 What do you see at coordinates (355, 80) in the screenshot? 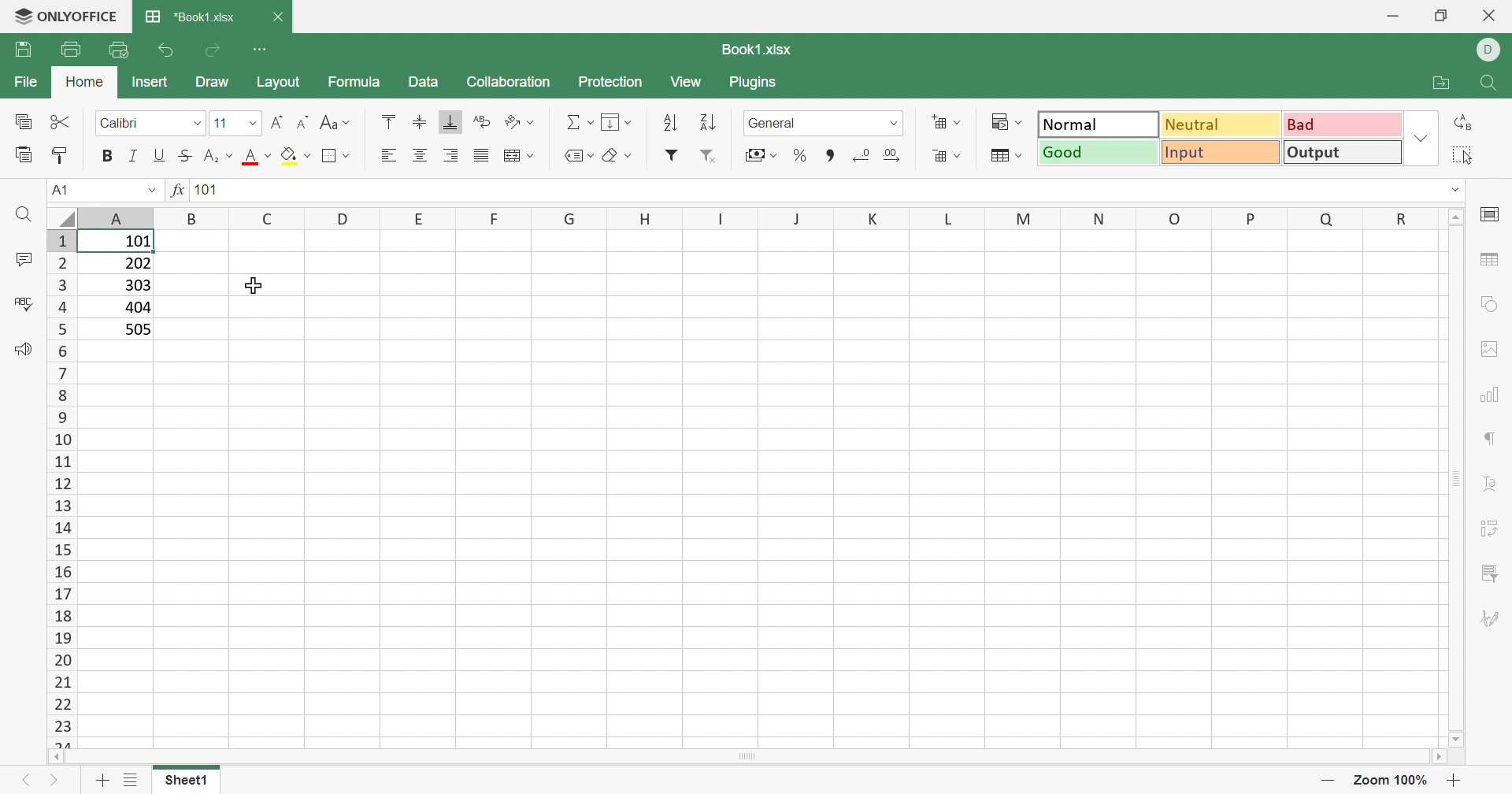
I see `Formula` at bounding box center [355, 80].